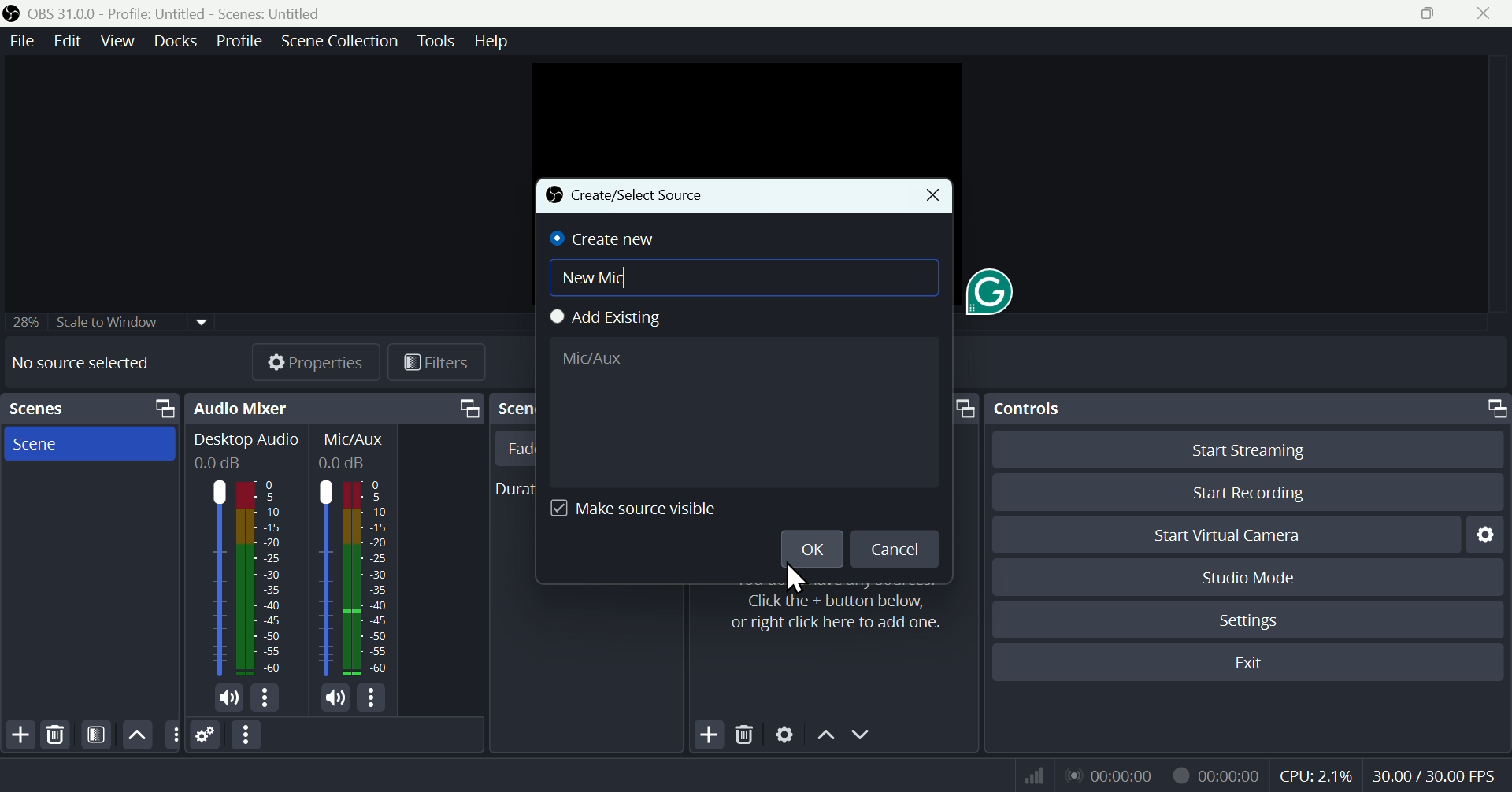  What do you see at coordinates (179, 41) in the screenshot?
I see `Docks` at bounding box center [179, 41].